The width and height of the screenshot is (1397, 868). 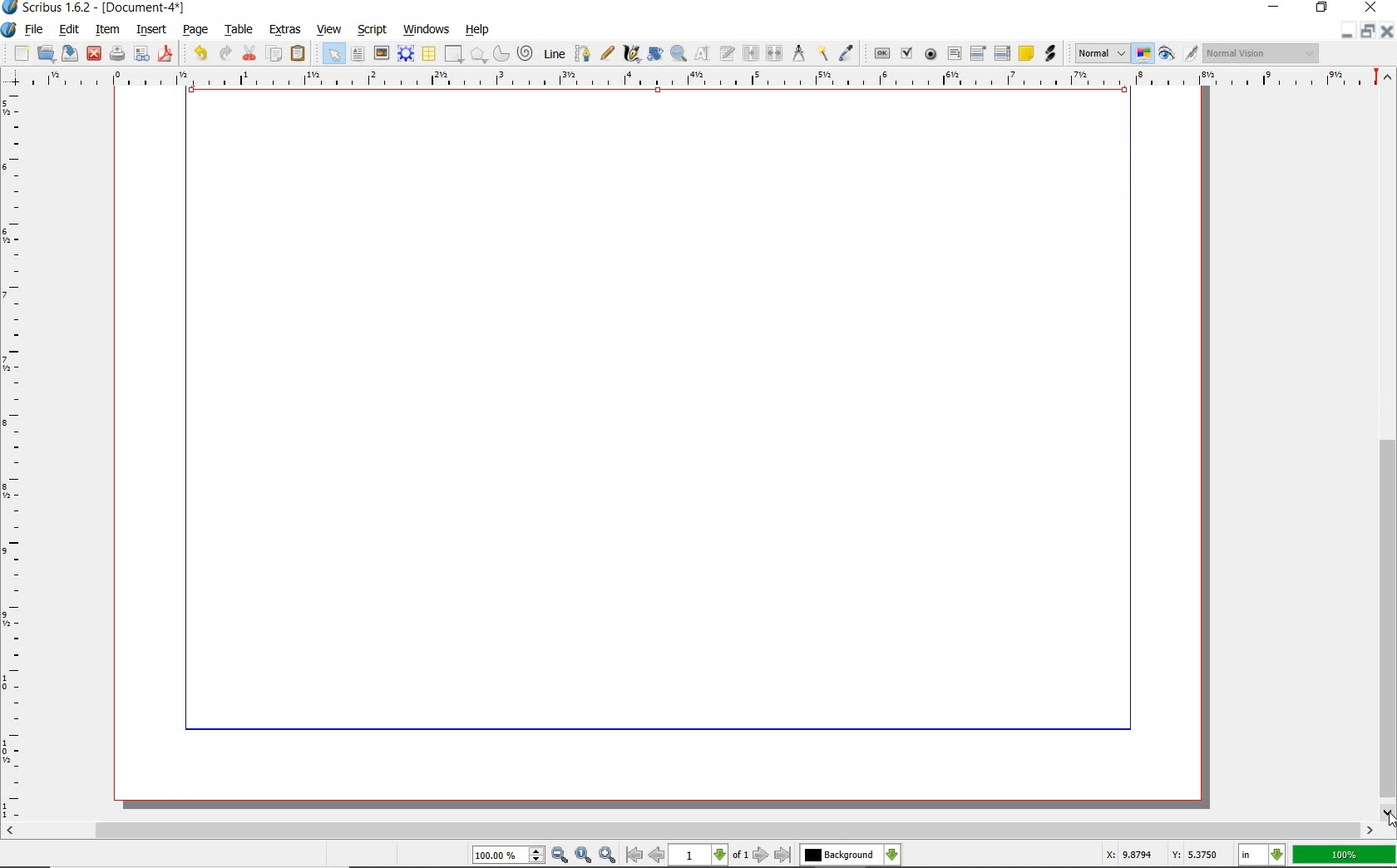 I want to click on save as pdf, so click(x=166, y=53).